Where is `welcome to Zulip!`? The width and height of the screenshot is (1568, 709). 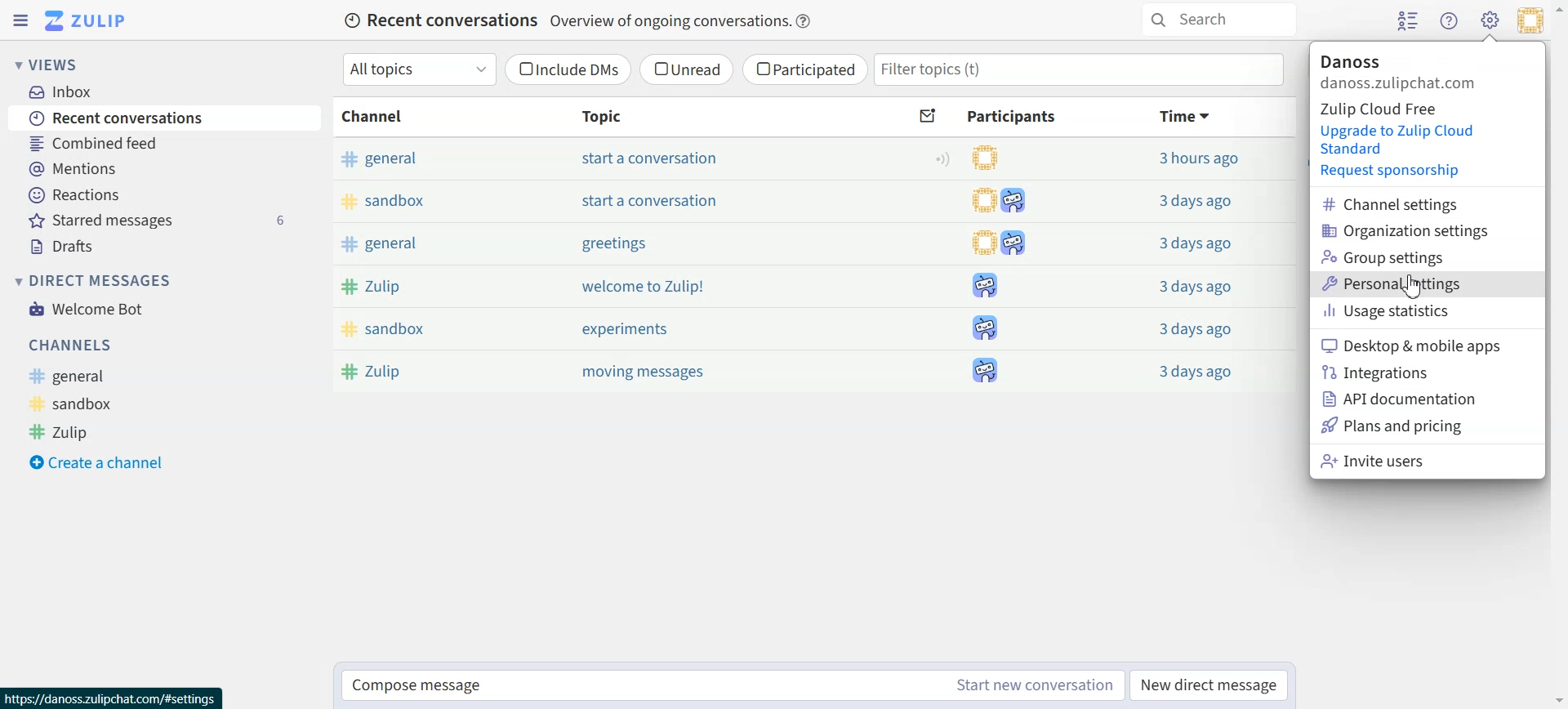
welcome to Zulip! is located at coordinates (643, 287).